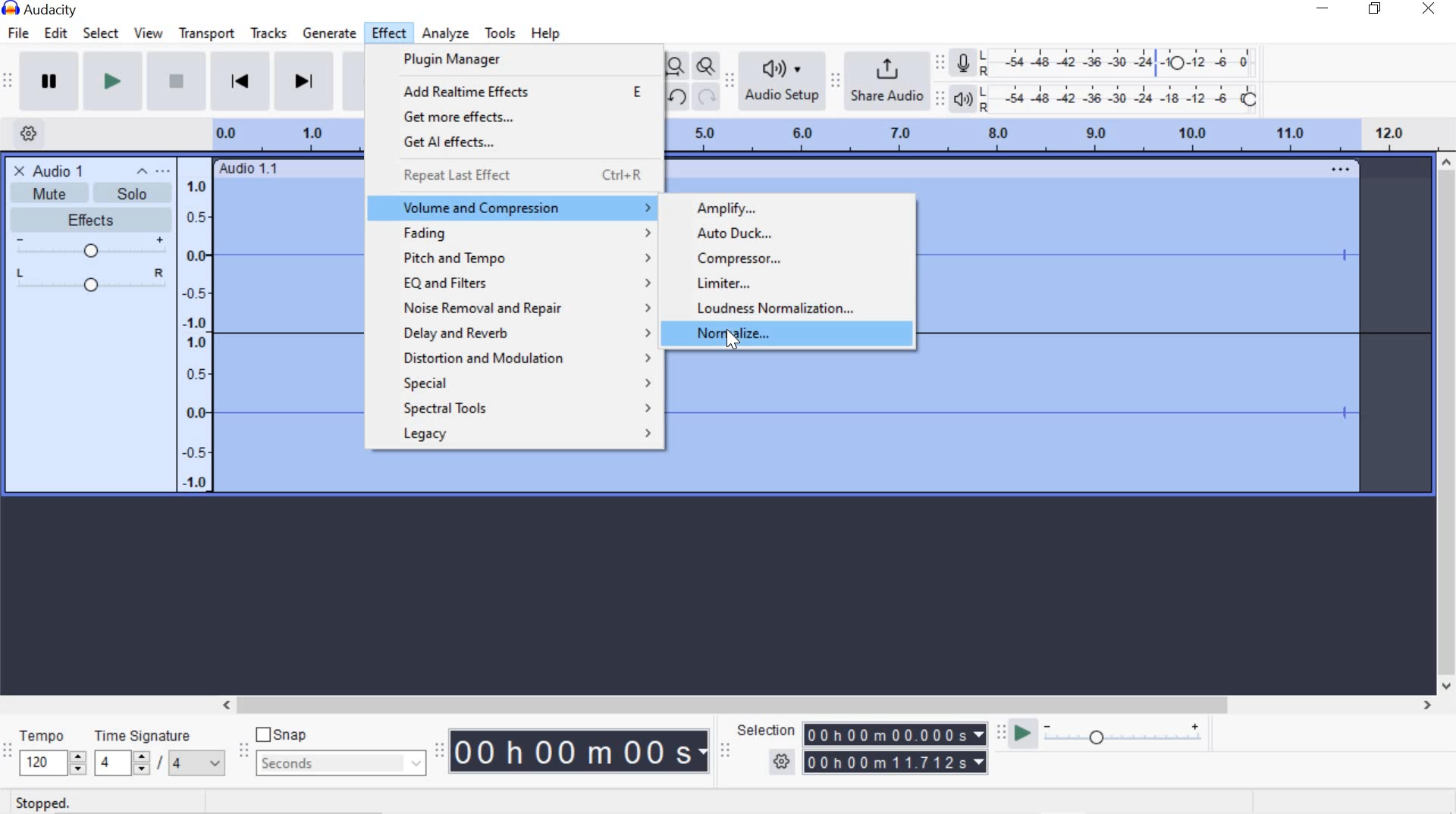  What do you see at coordinates (768, 731) in the screenshot?
I see `SELECTION` at bounding box center [768, 731].